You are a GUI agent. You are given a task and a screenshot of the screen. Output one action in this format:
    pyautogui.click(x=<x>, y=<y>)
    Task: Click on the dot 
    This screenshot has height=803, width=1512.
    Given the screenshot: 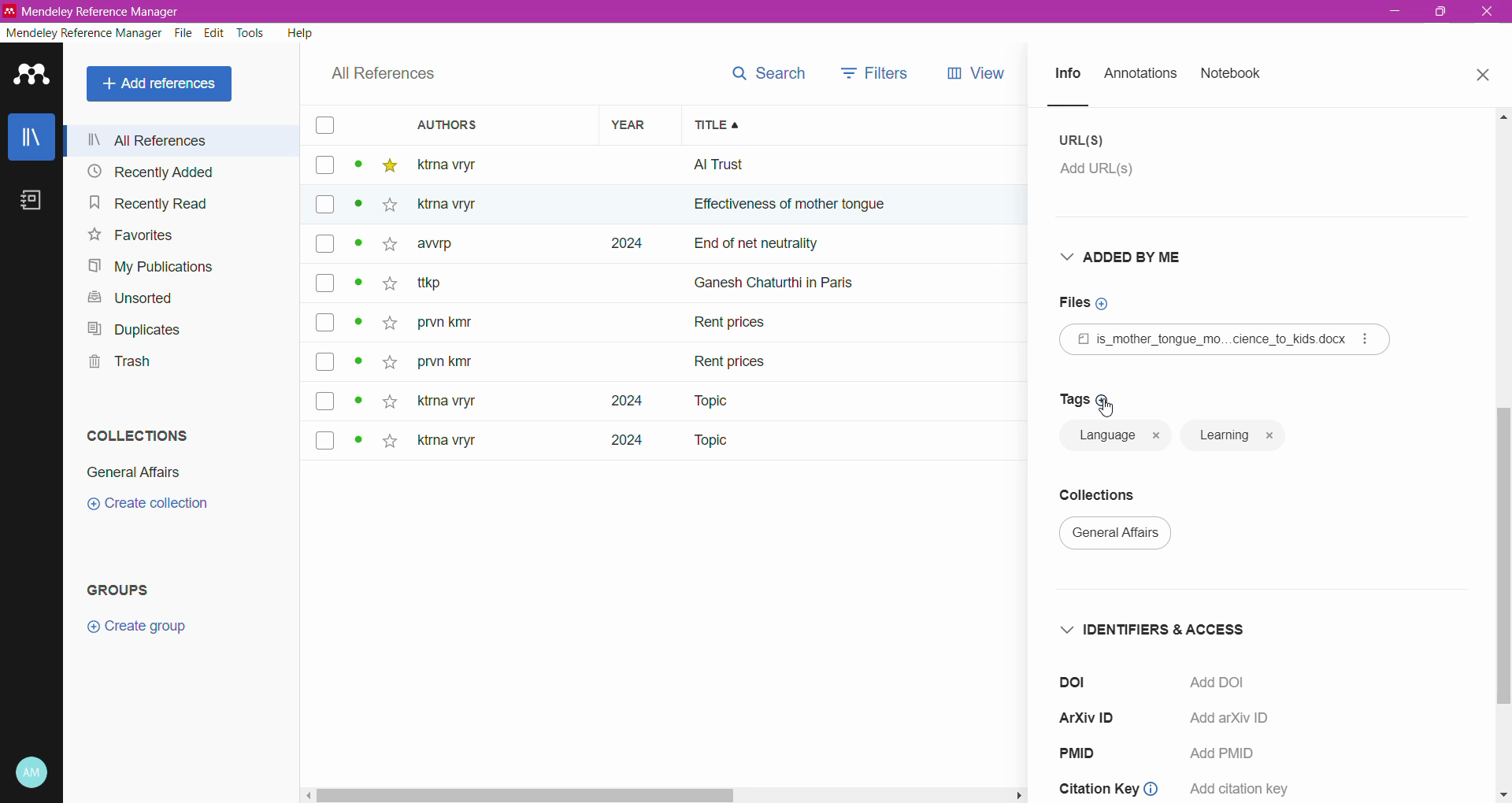 What is the action you would take?
    pyautogui.click(x=360, y=401)
    